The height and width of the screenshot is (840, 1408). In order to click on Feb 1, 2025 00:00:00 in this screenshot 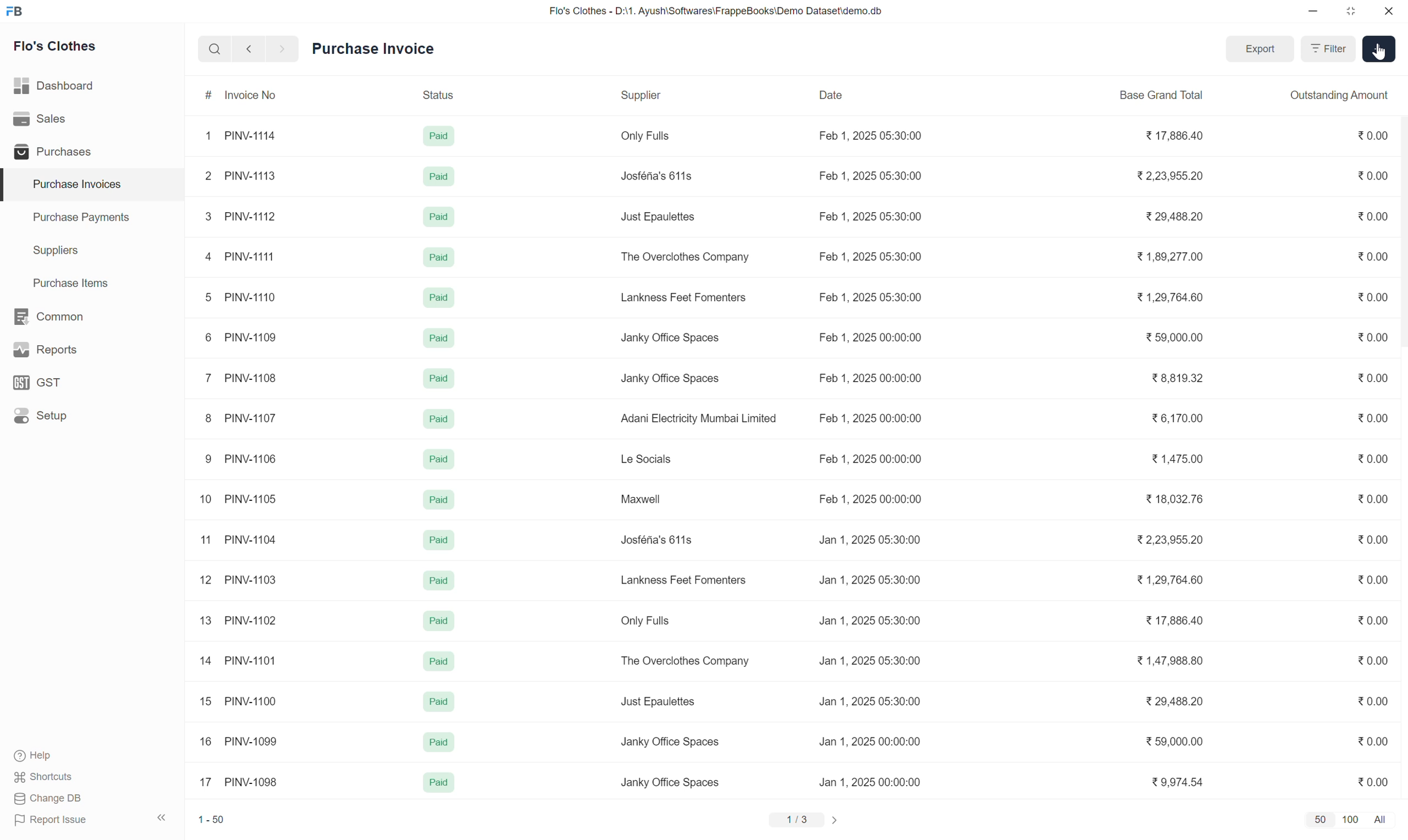, I will do `click(871, 379)`.